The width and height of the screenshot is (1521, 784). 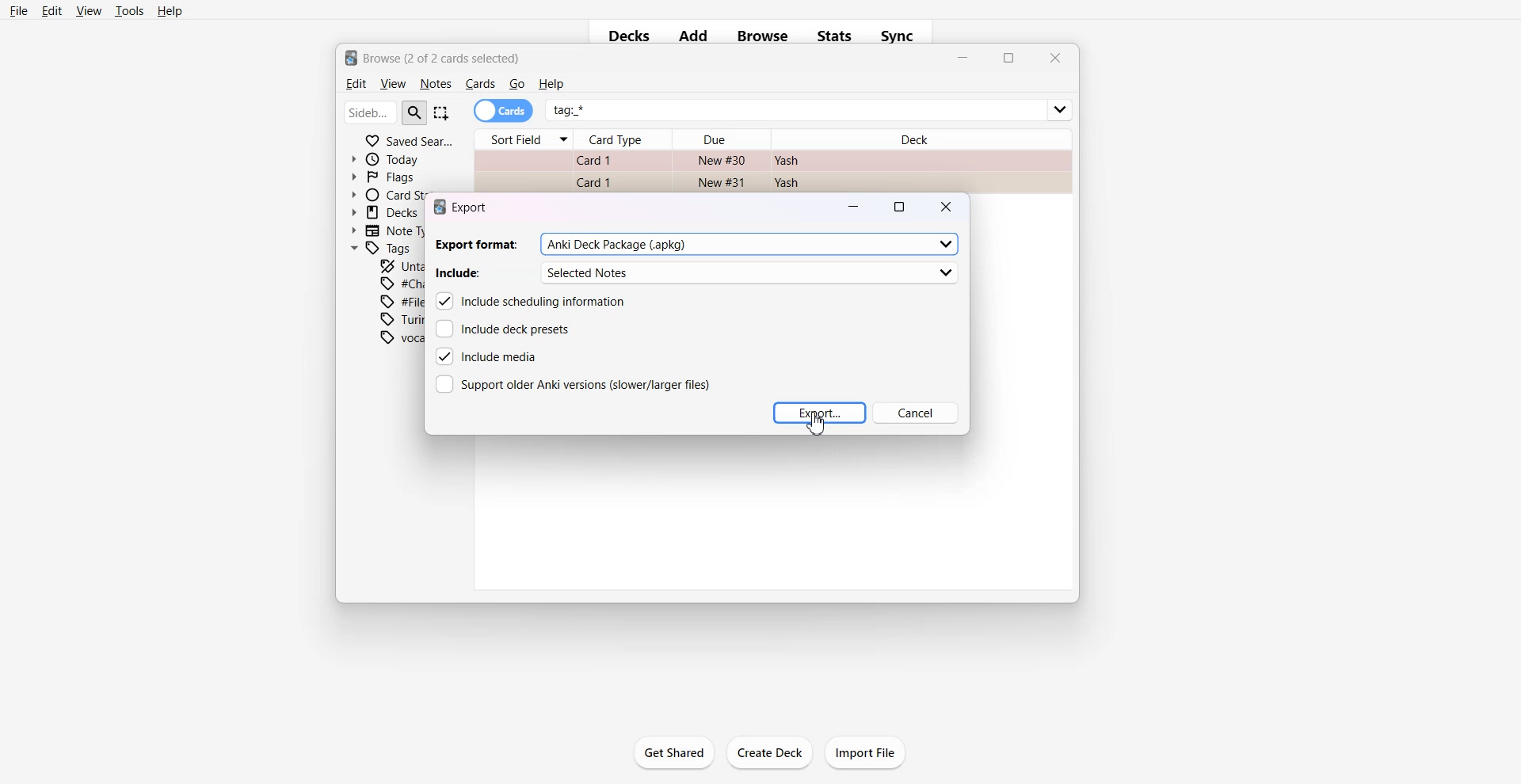 I want to click on Minimize, so click(x=963, y=59).